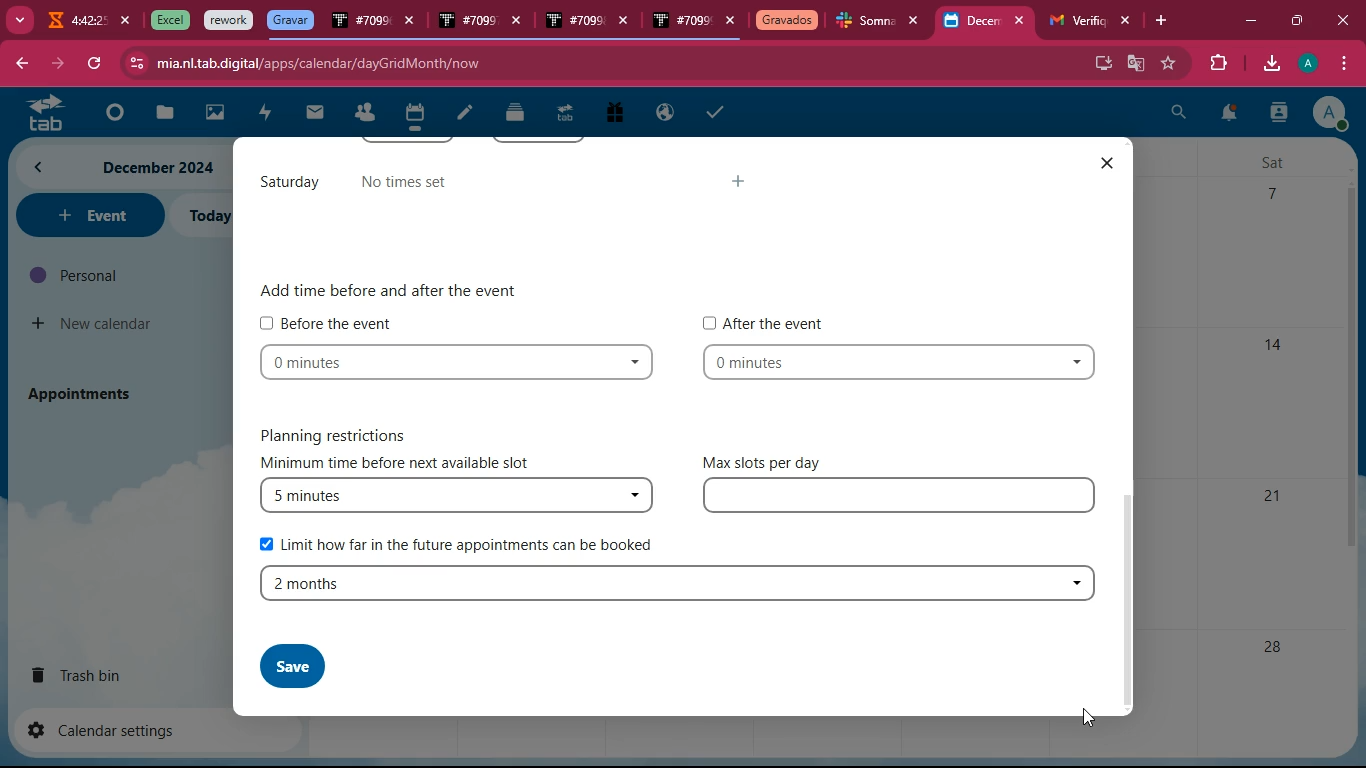  What do you see at coordinates (127, 21) in the screenshot?
I see `close` at bounding box center [127, 21].